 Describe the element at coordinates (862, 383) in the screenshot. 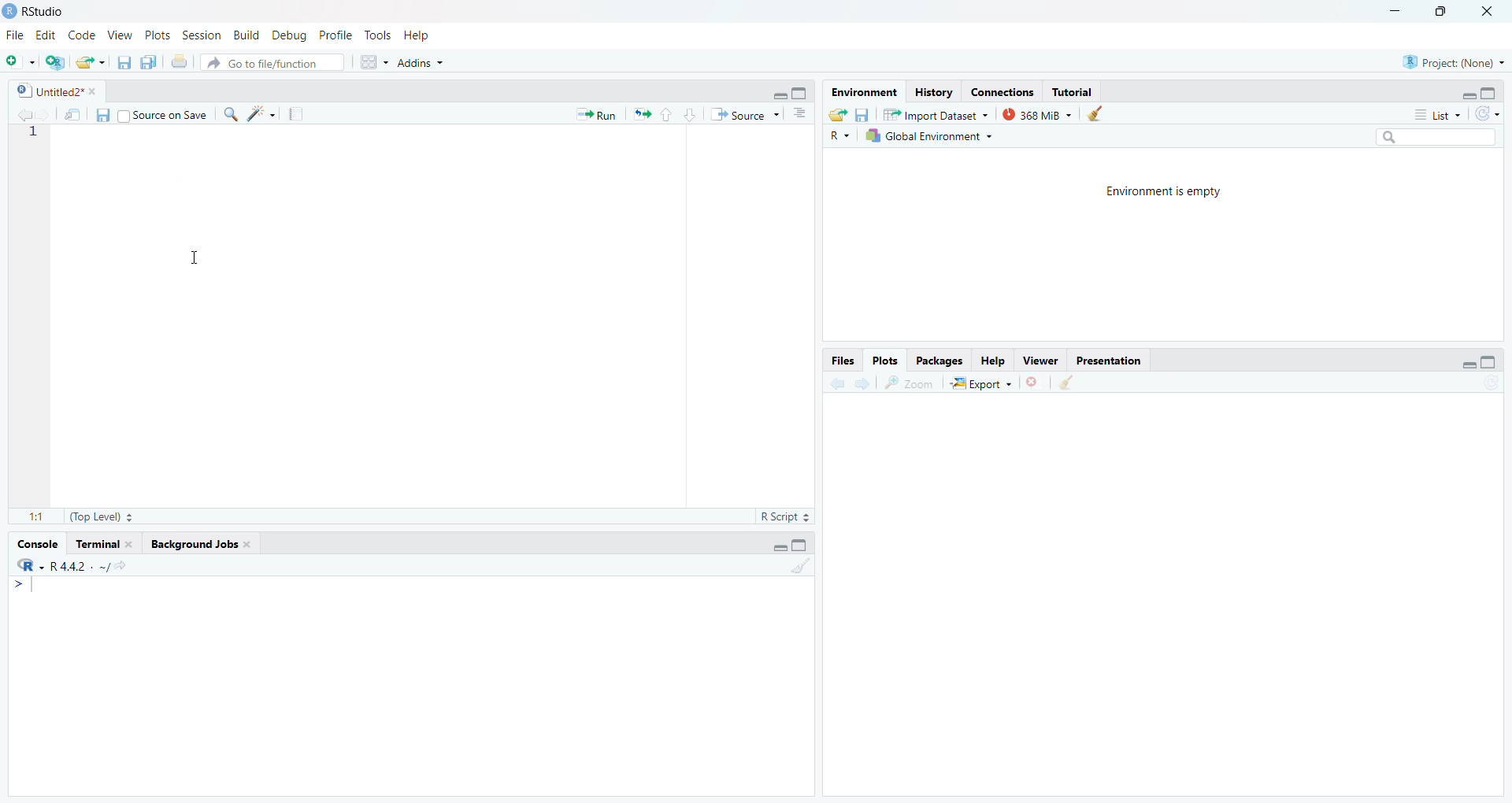

I see `next` at that location.